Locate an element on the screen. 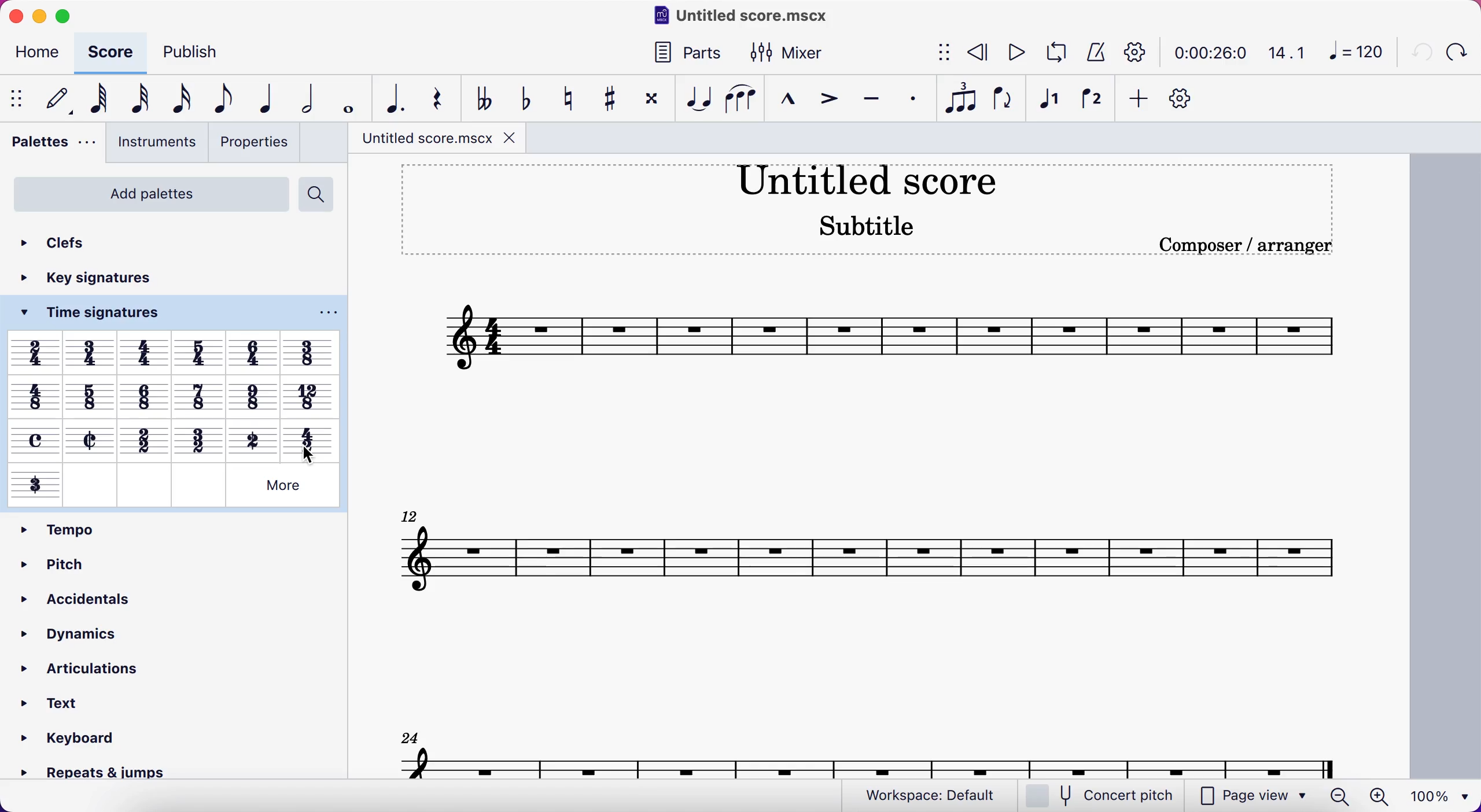 This screenshot has width=1481, height=812. augmentation dot is located at coordinates (393, 98).